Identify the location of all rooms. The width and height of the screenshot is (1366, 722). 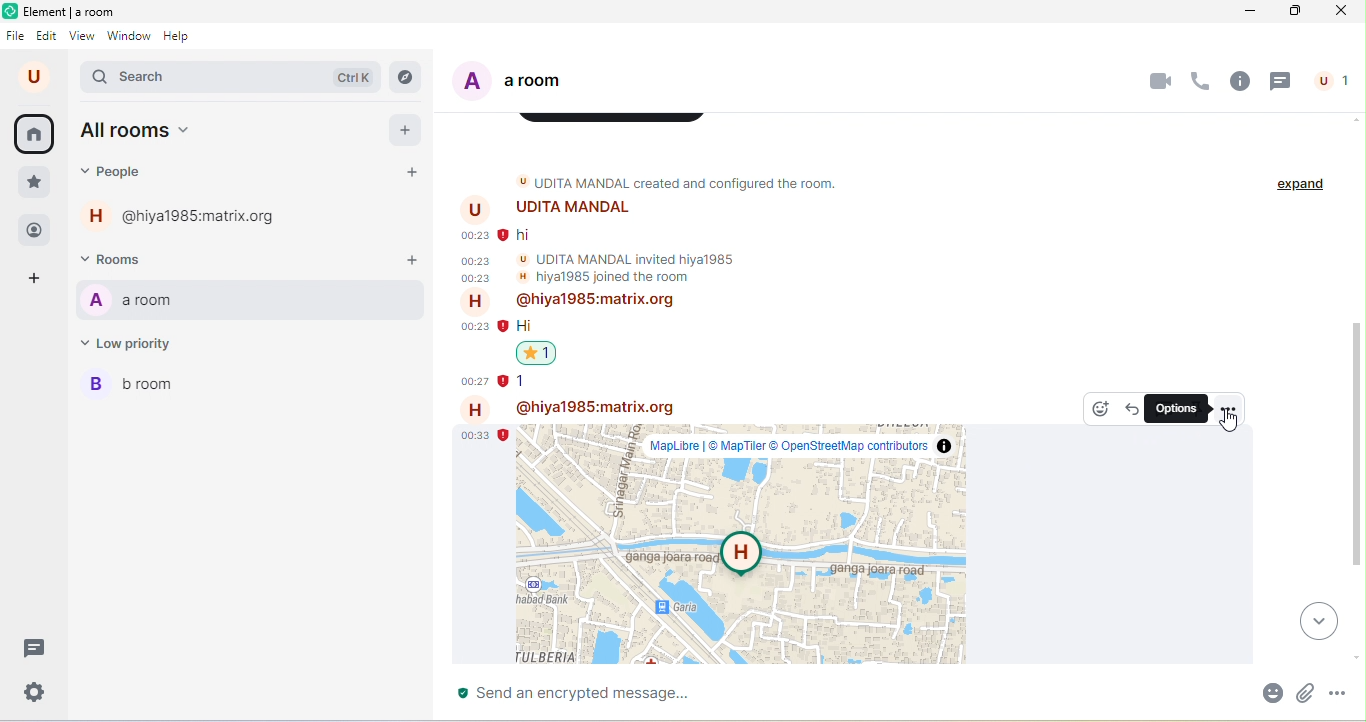
(137, 132).